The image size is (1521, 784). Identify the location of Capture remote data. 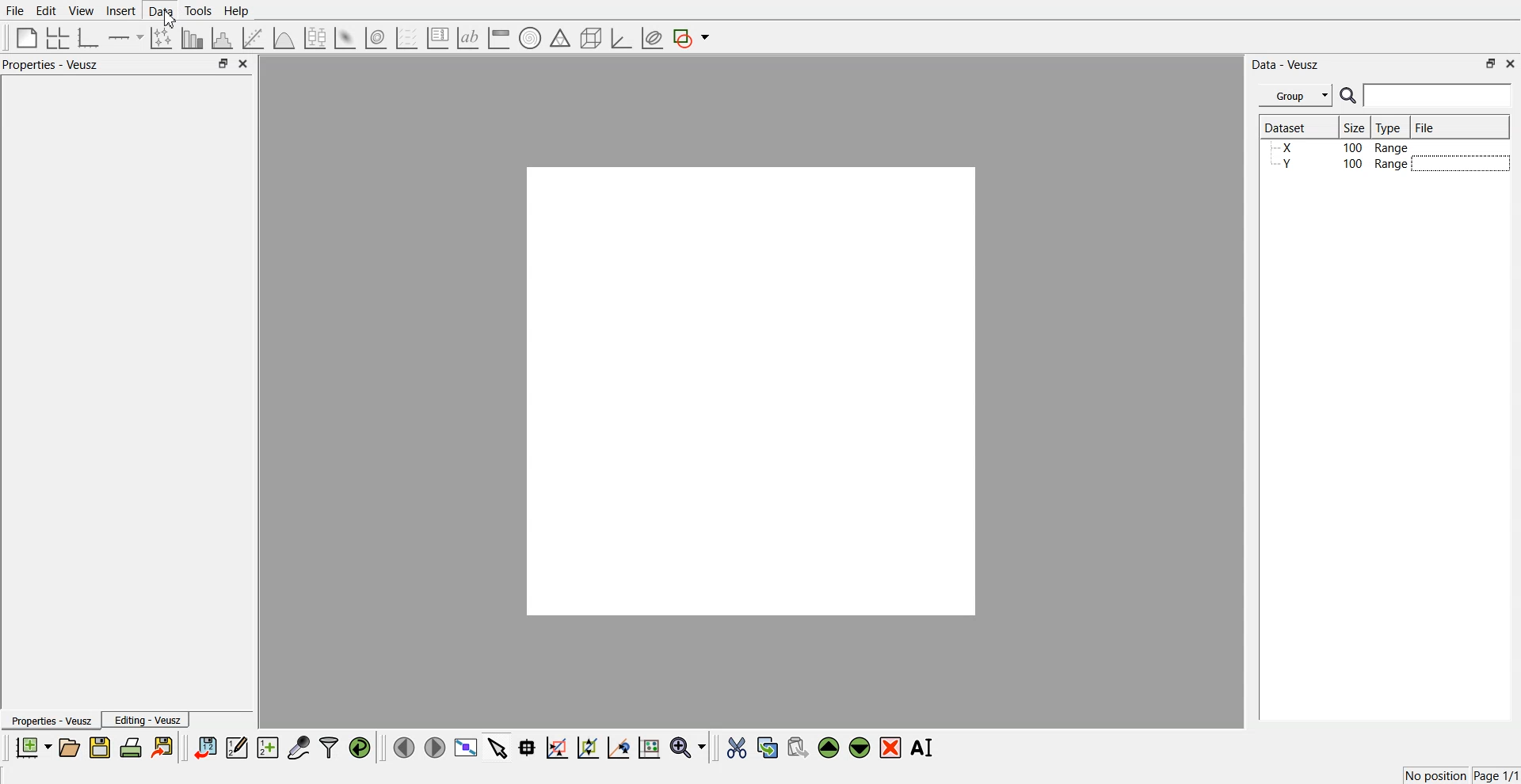
(299, 747).